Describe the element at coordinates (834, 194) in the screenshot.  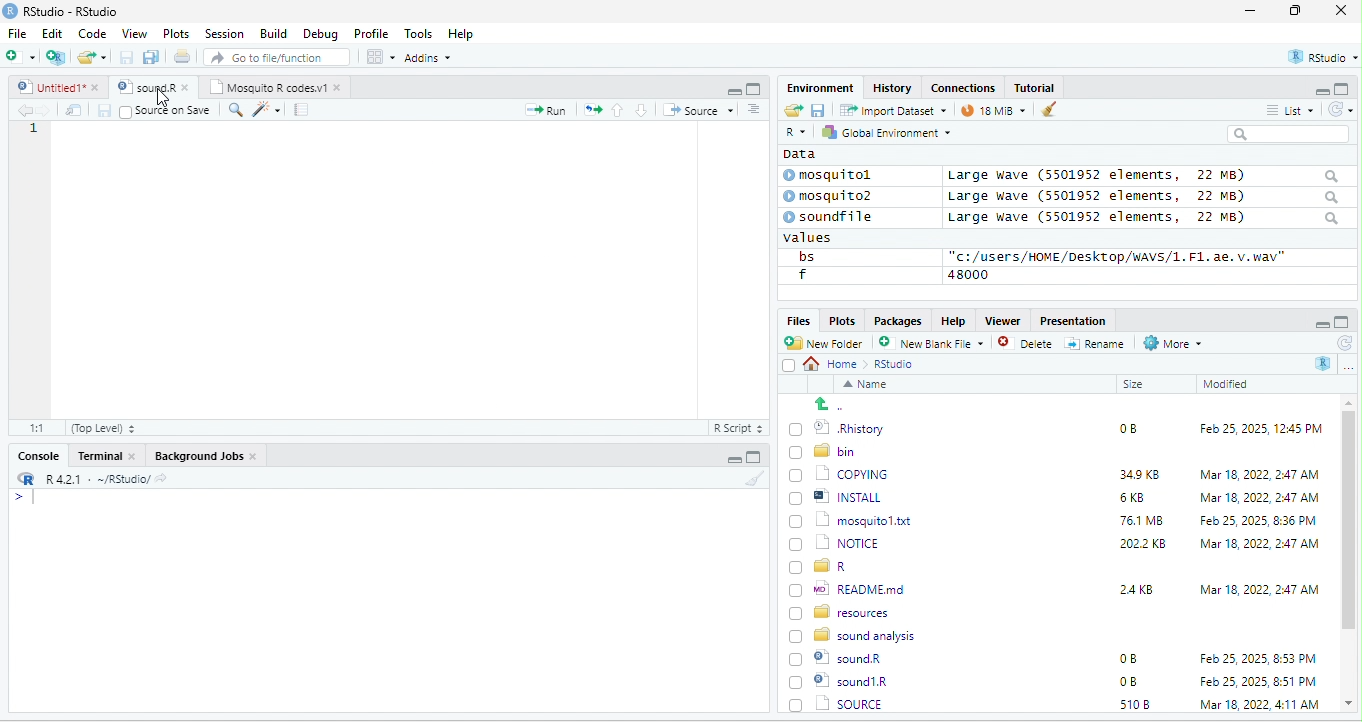
I see `© mosquito?` at that location.